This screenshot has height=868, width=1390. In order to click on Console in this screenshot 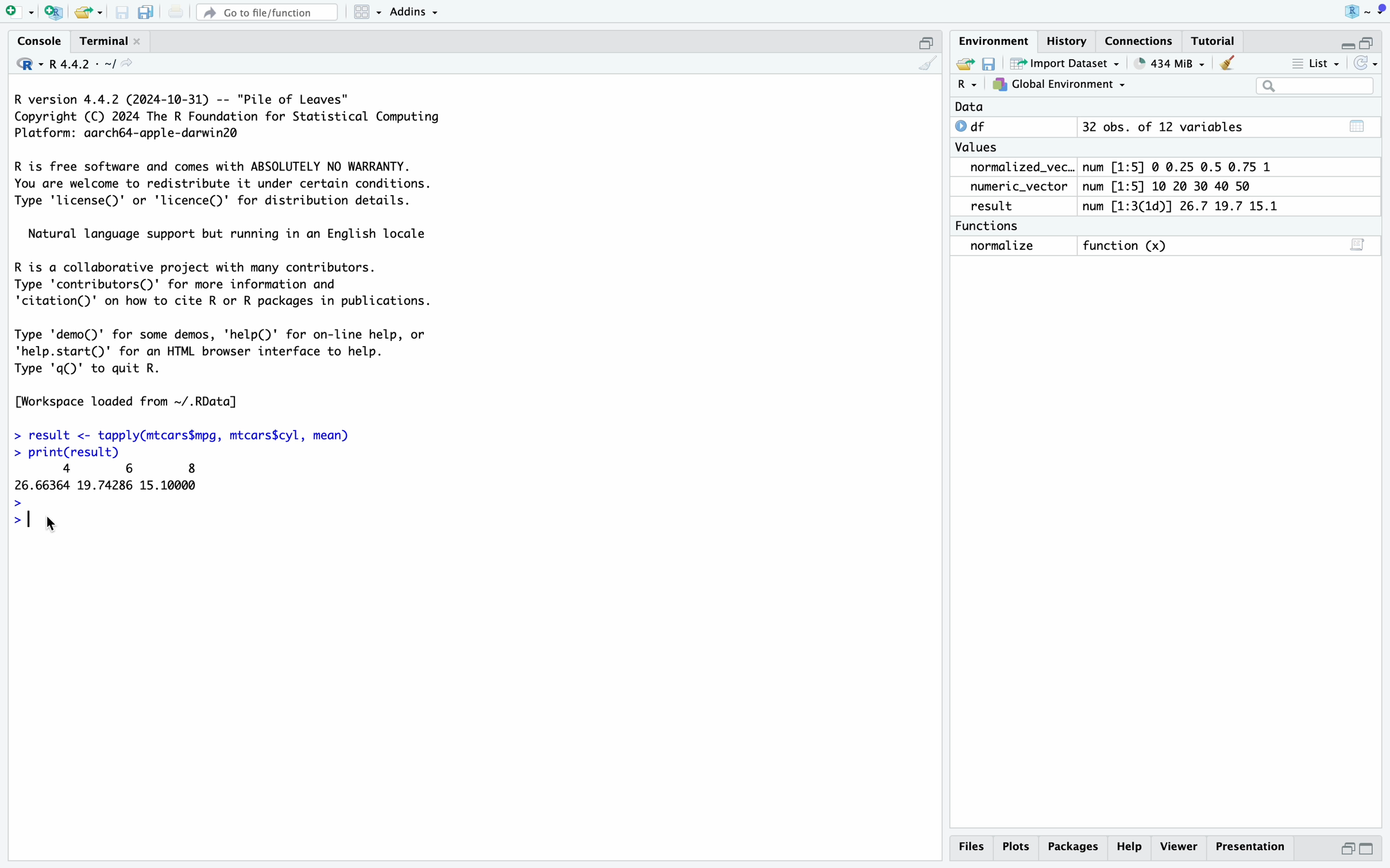, I will do `click(39, 40)`.